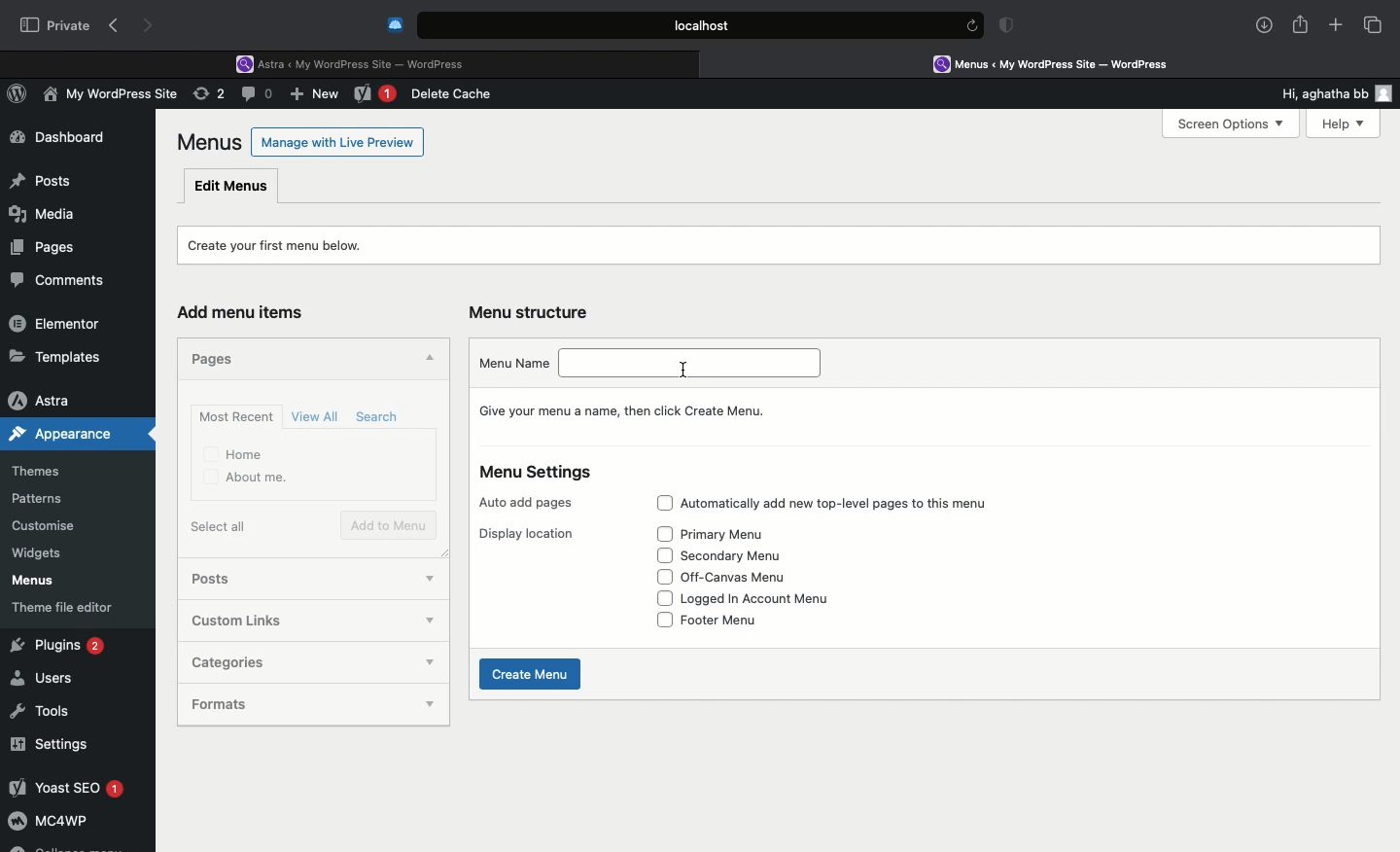 The height and width of the screenshot is (852, 1400). What do you see at coordinates (39, 553) in the screenshot?
I see `Widgets` at bounding box center [39, 553].